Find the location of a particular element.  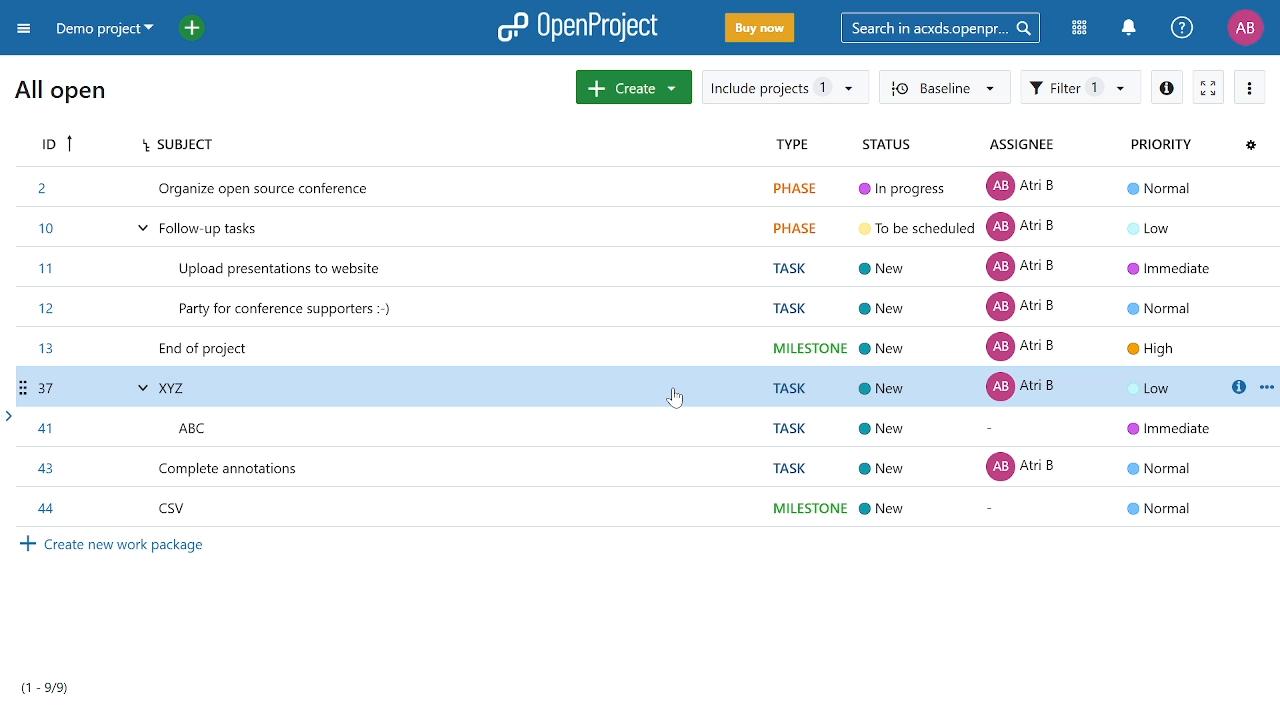

Modules is located at coordinates (1079, 28).